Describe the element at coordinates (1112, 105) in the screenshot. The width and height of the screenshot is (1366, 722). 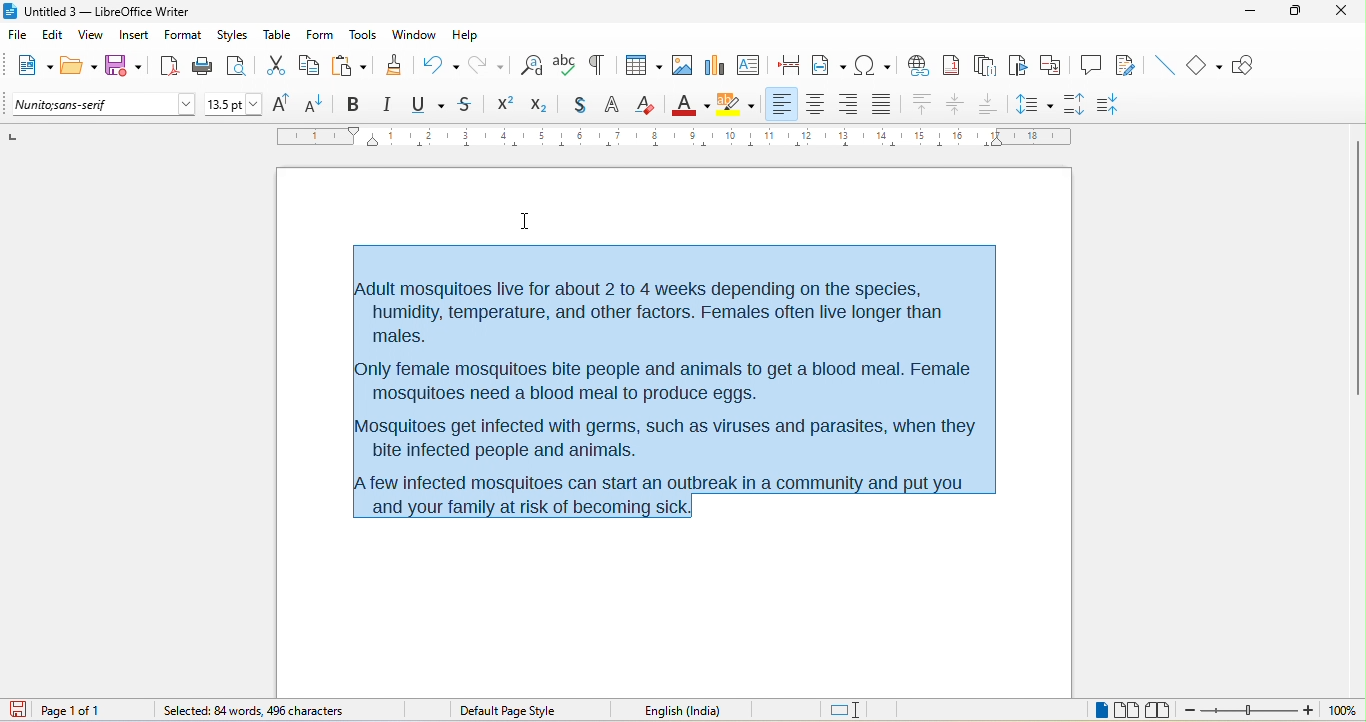
I see `decrease paragraph spacing` at that location.